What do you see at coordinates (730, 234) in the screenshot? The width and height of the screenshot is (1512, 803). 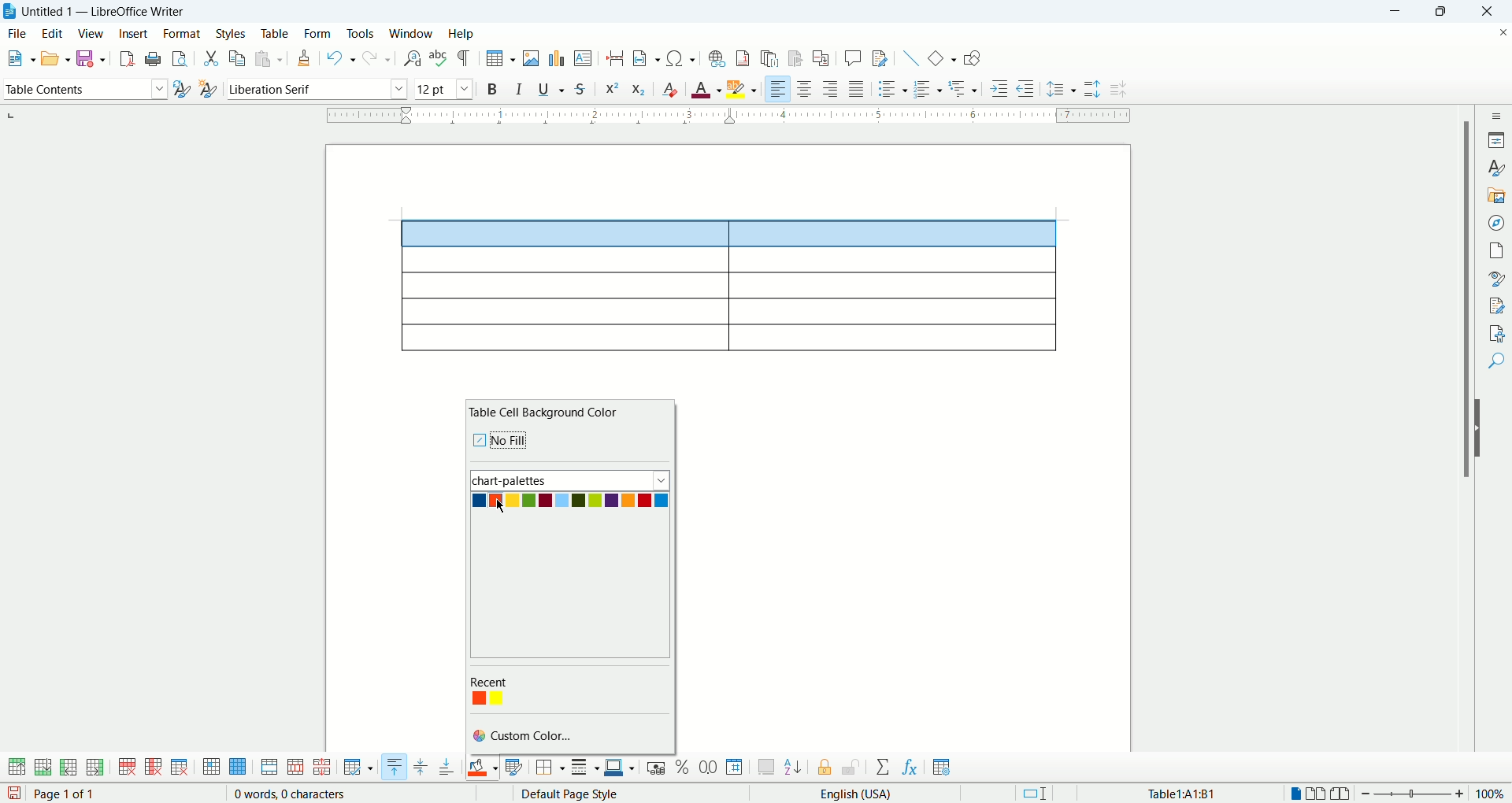 I see `selected cells` at bounding box center [730, 234].